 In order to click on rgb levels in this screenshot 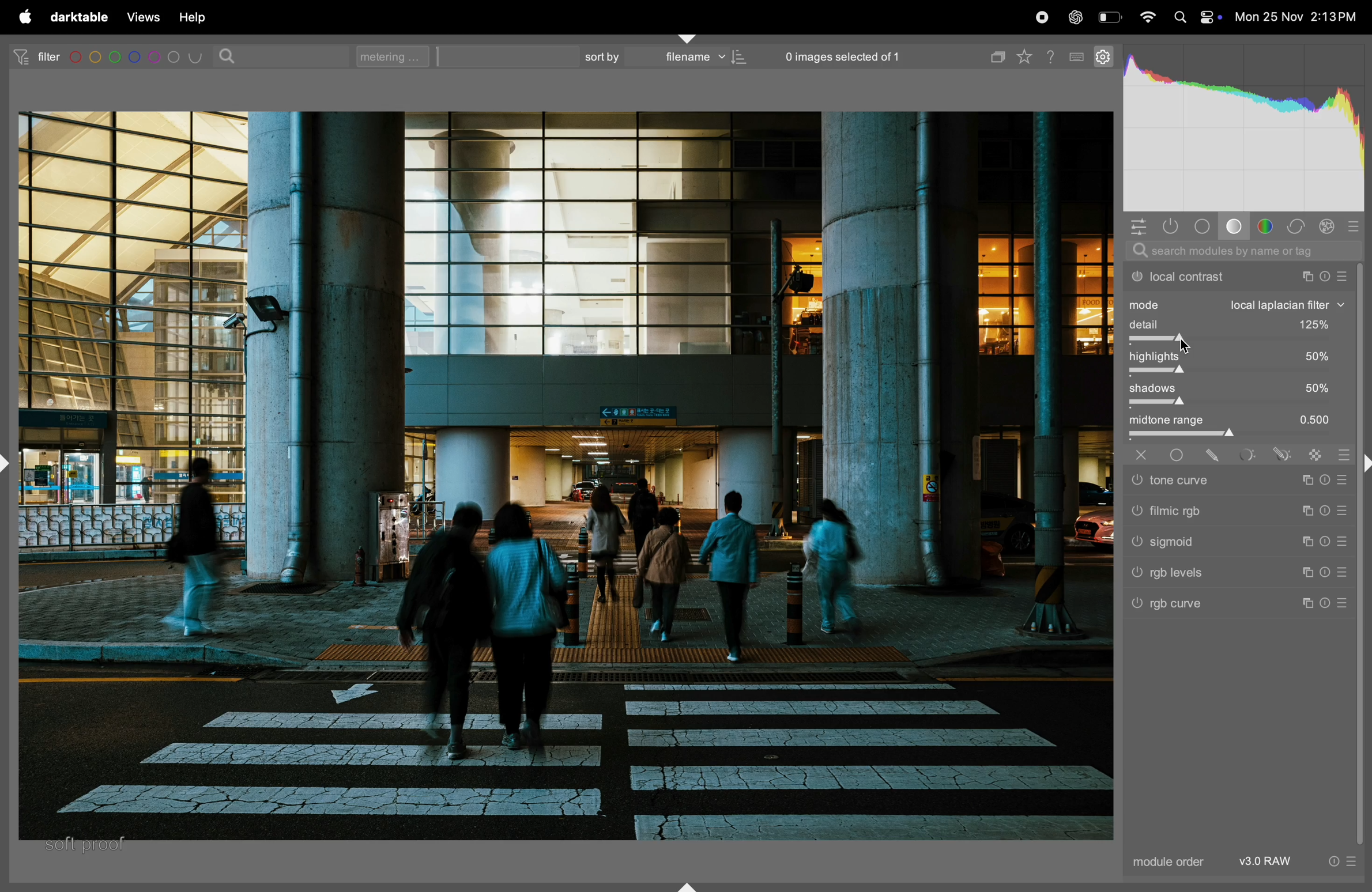, I will do `click(1232, 574)`.